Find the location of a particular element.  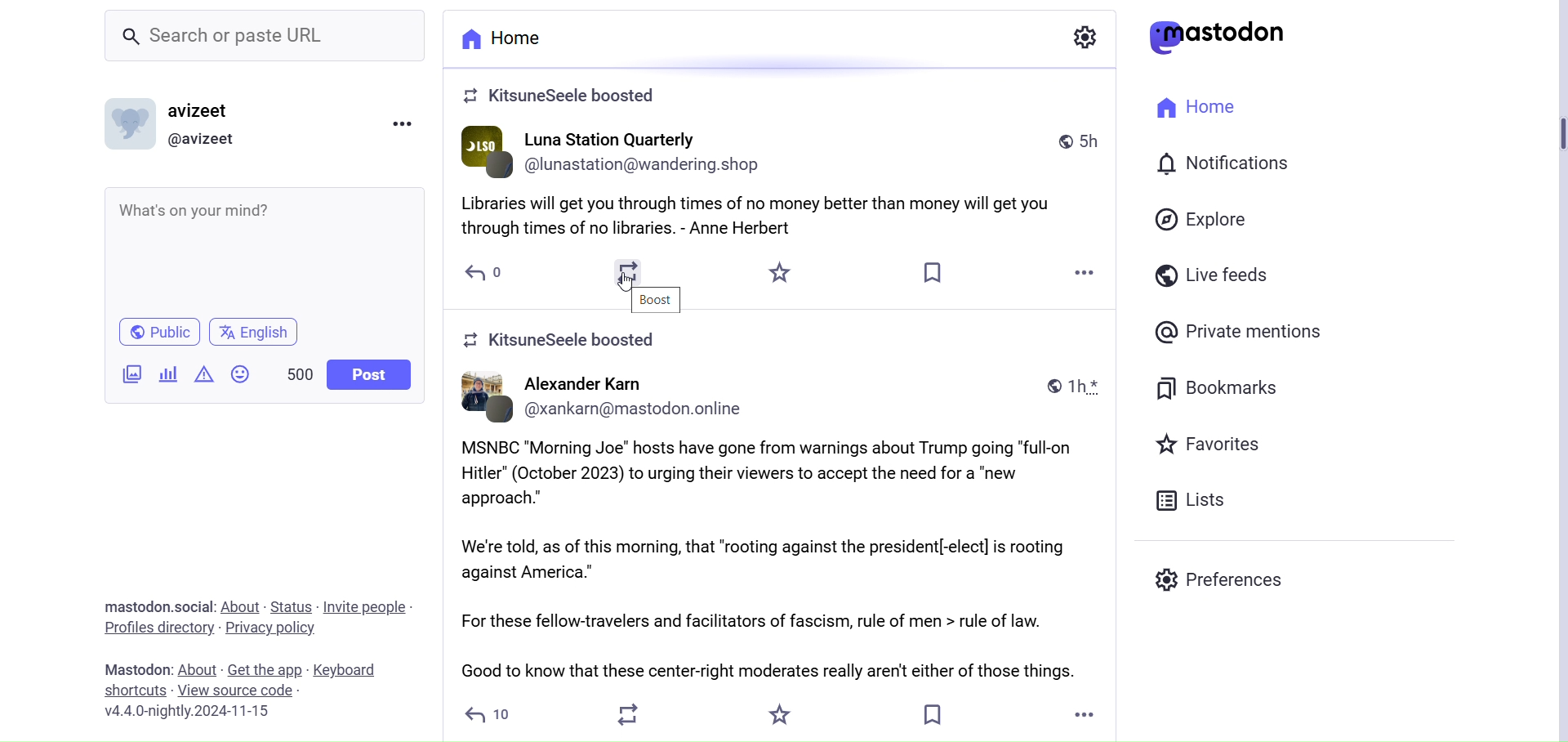

Social is located at coordinates (158, 606).